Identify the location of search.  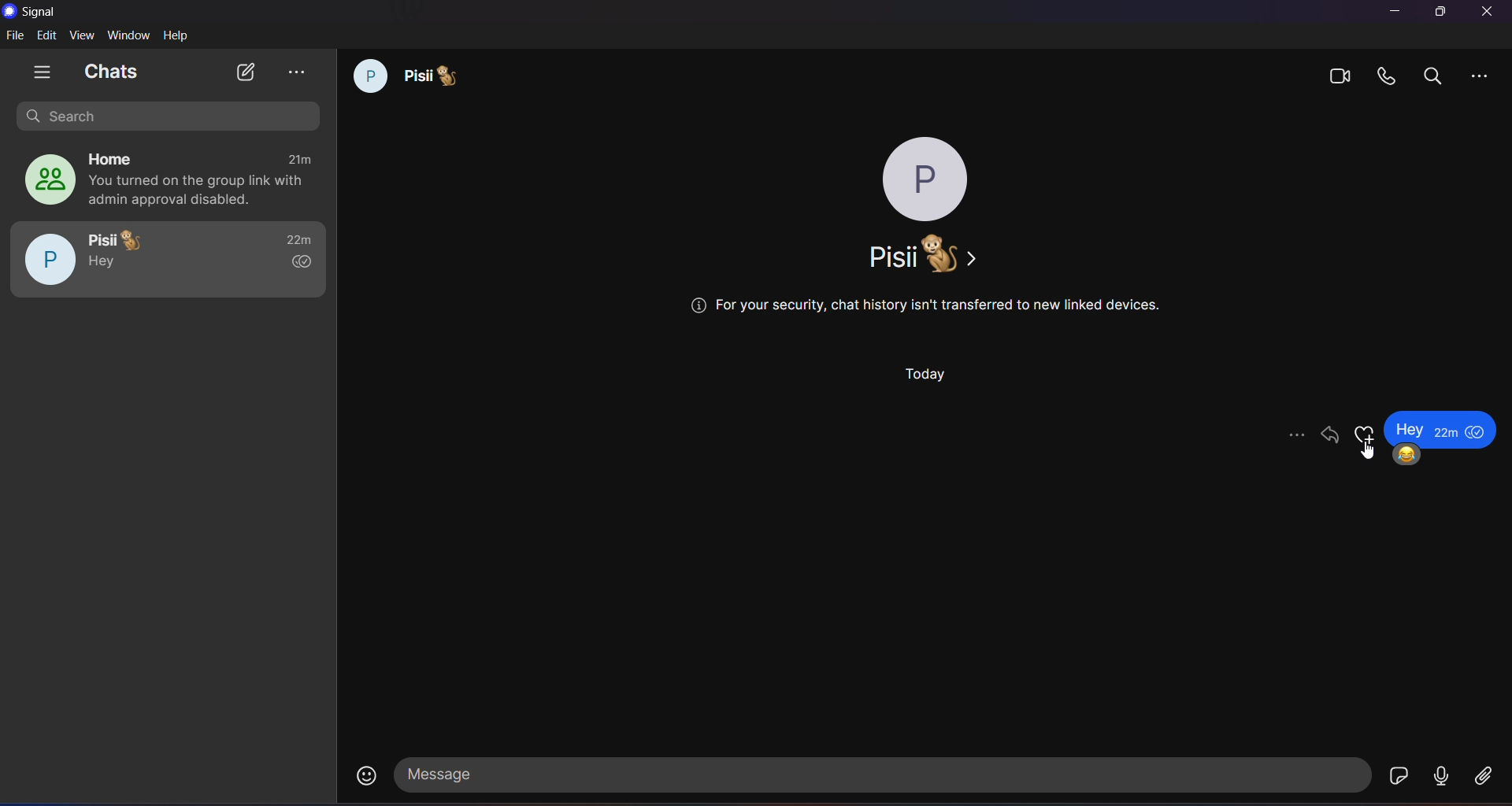
(1436, 75).